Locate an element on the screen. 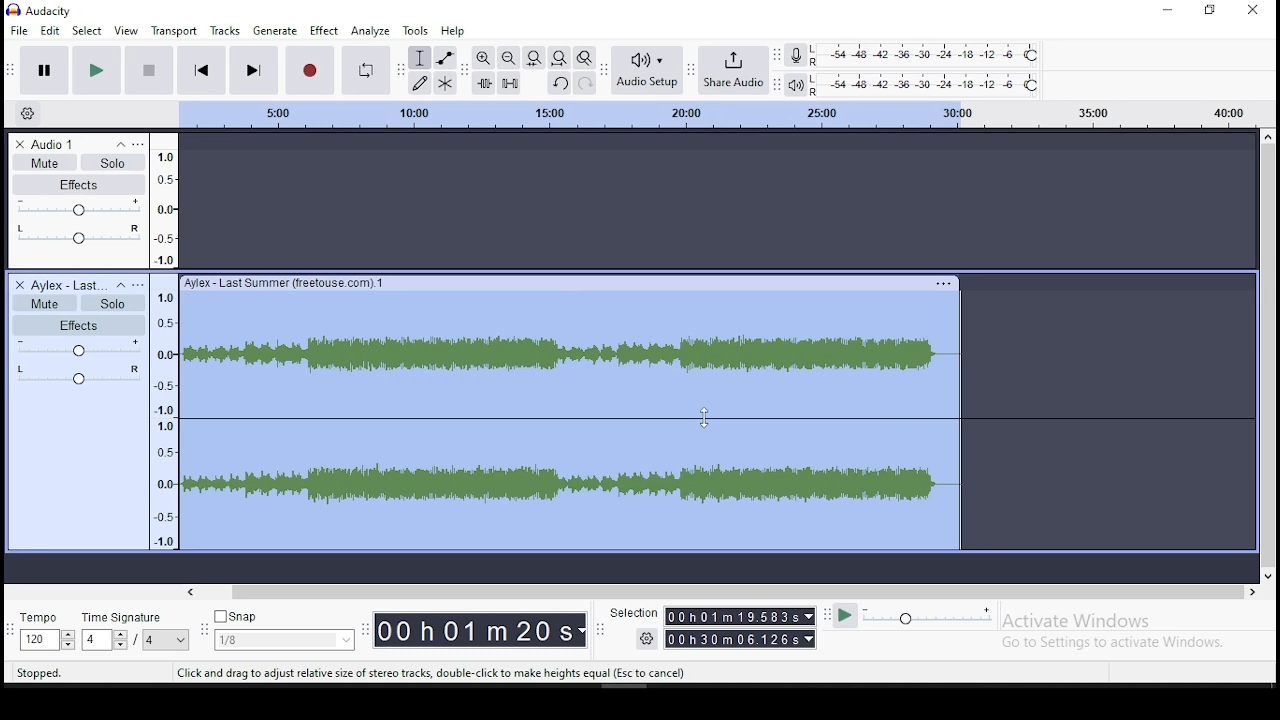 This screenshot has height=720, width=1280. selection is located at coordinates (633, 614).